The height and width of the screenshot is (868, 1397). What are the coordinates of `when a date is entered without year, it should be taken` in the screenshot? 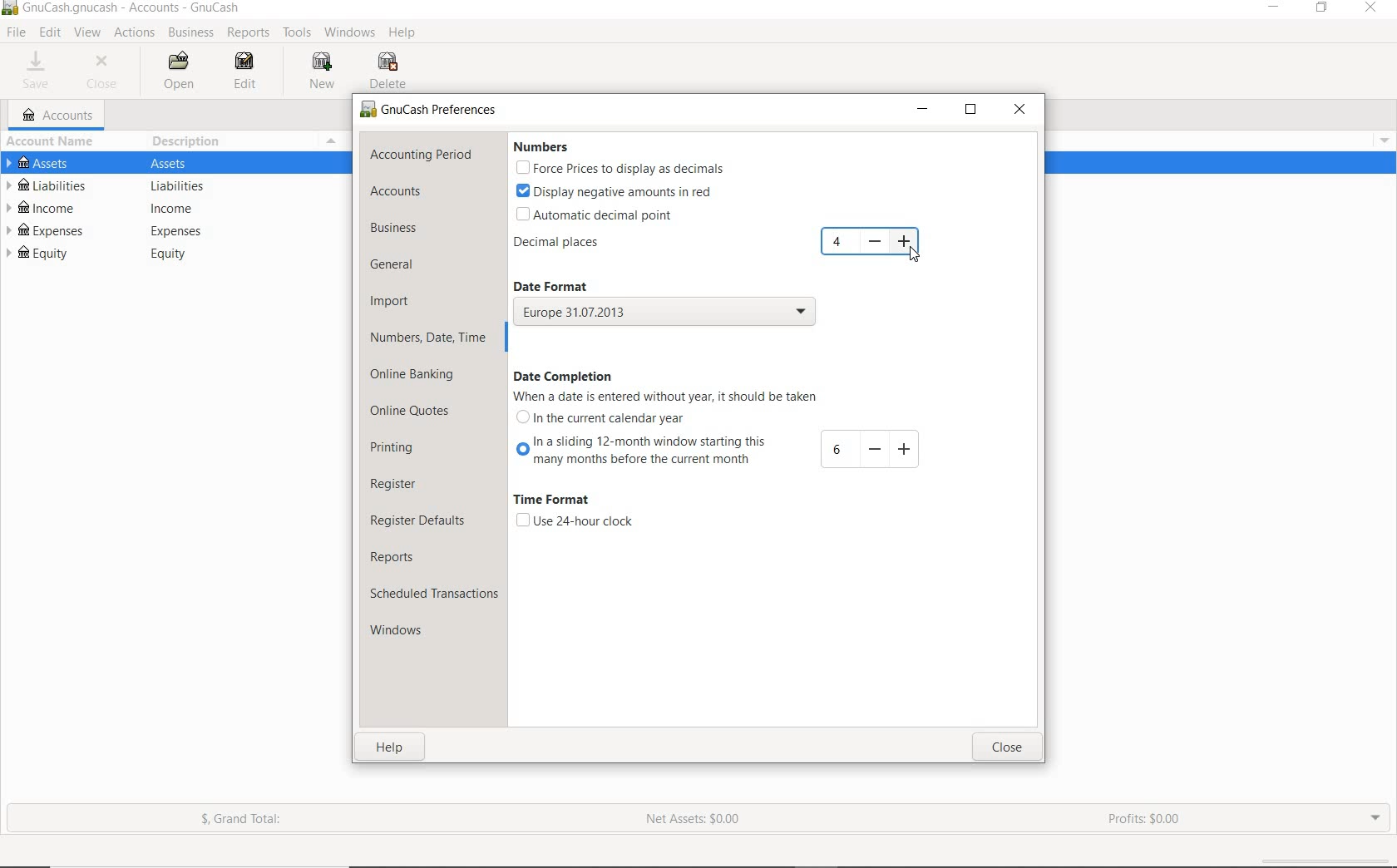 It's located at (664, 397).